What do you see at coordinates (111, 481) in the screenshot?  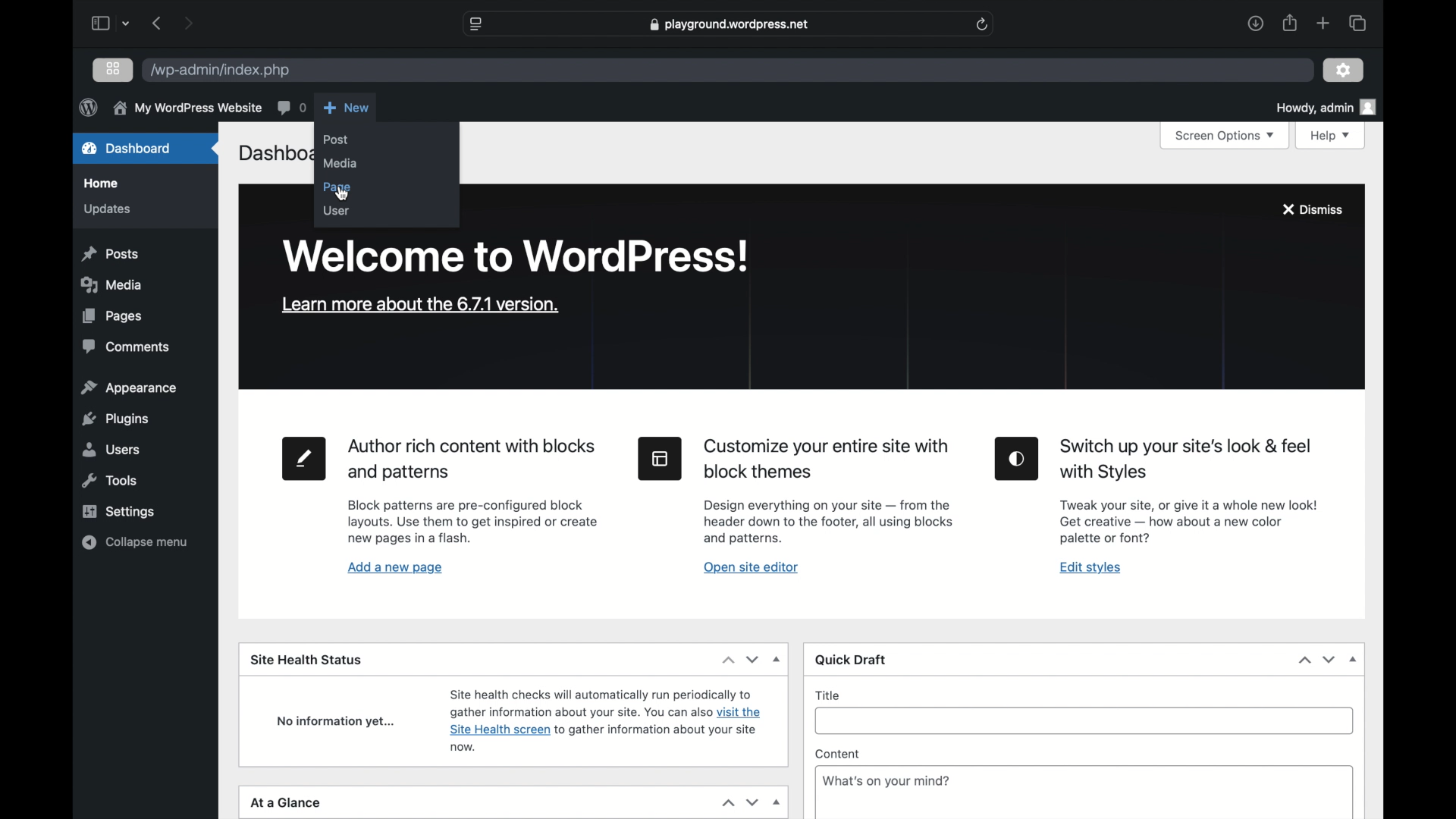 I see `tools` at bounding box center [111, 481].